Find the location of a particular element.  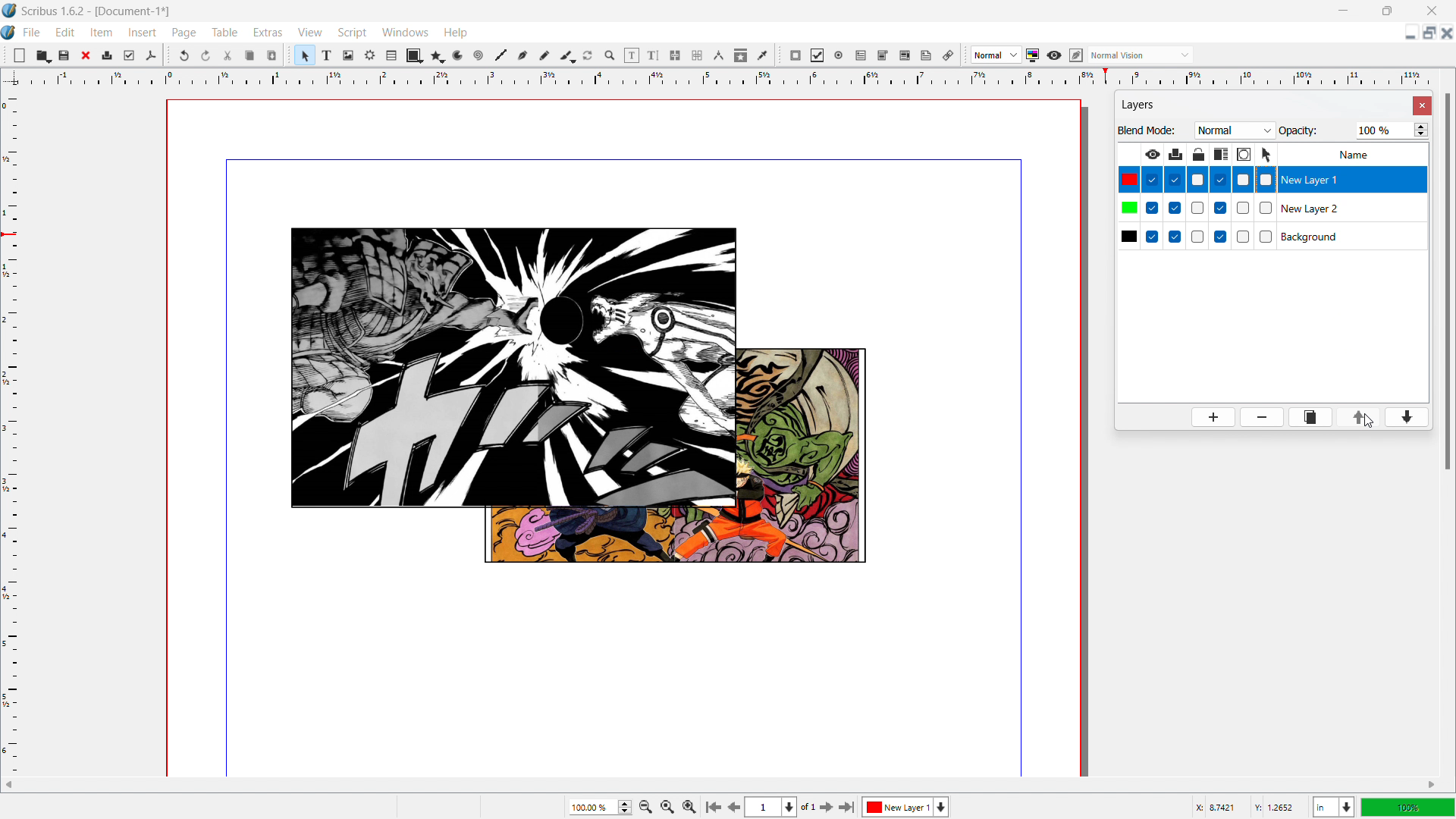

move layer down is located at coordinates (1407, 418).